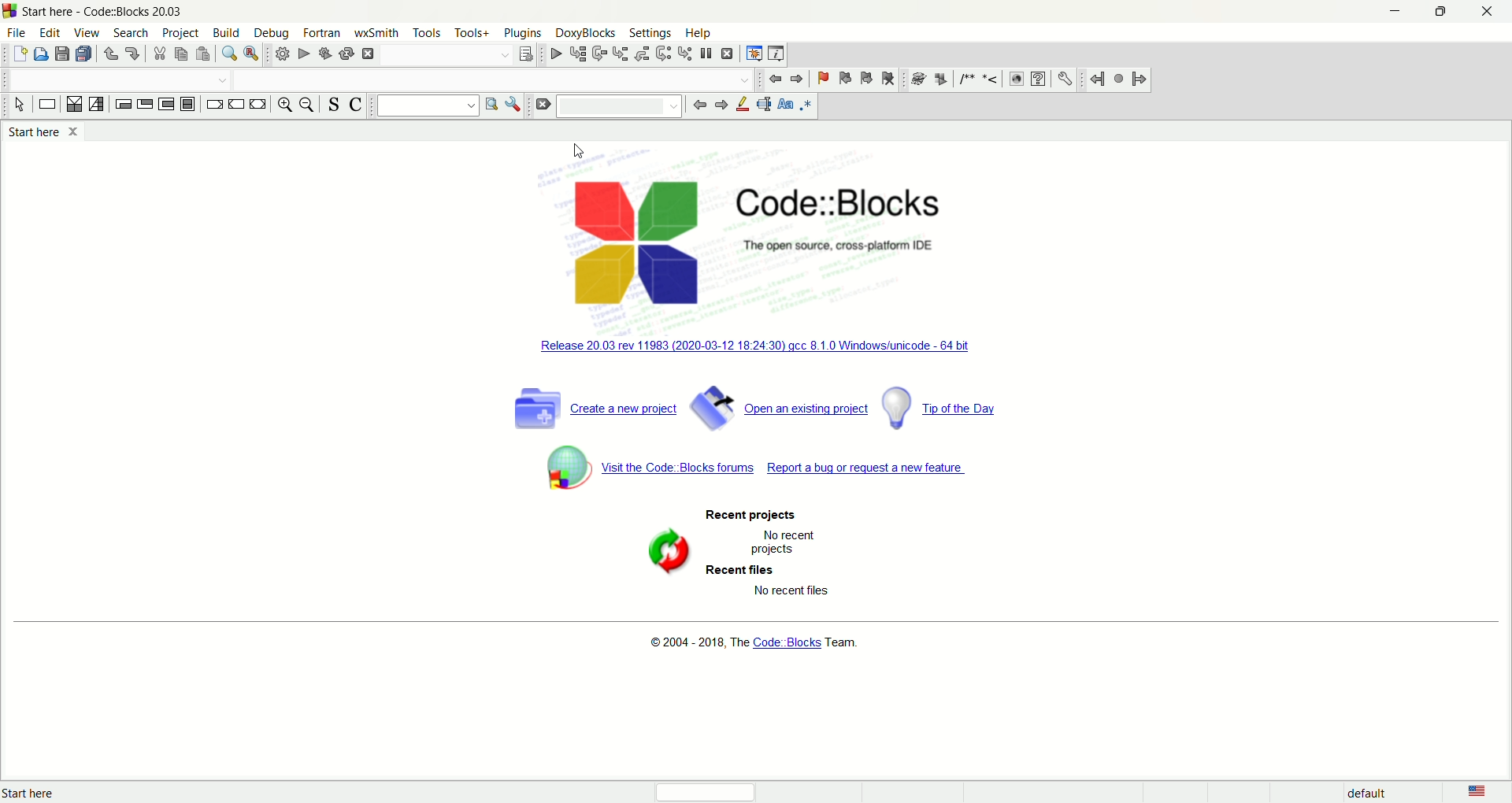 This screenshot has width=1512, height=803. I want to click on run, so click(305, 54).